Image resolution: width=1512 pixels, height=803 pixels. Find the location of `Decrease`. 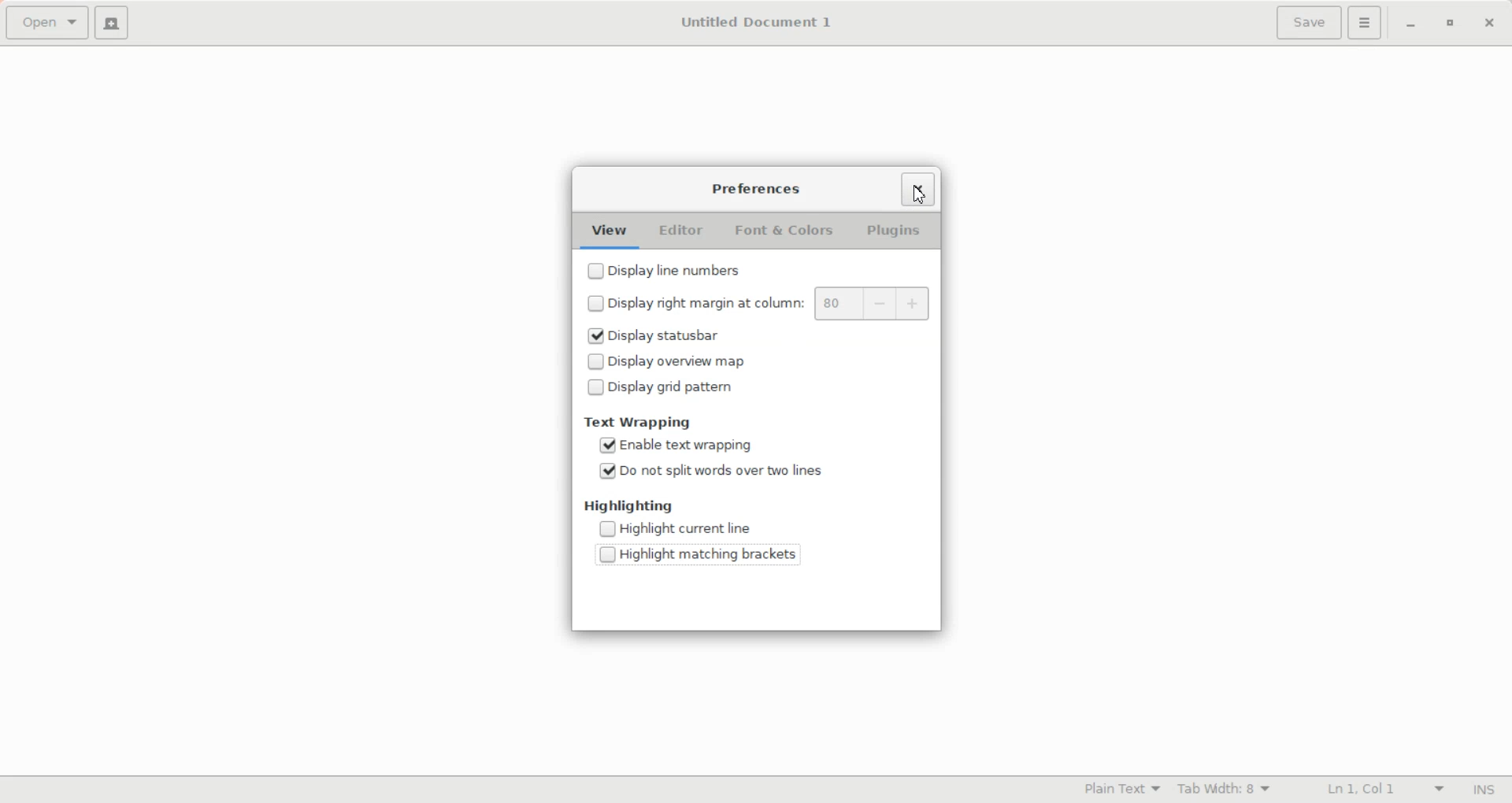

Decrease is located at coordinates (881, 305).